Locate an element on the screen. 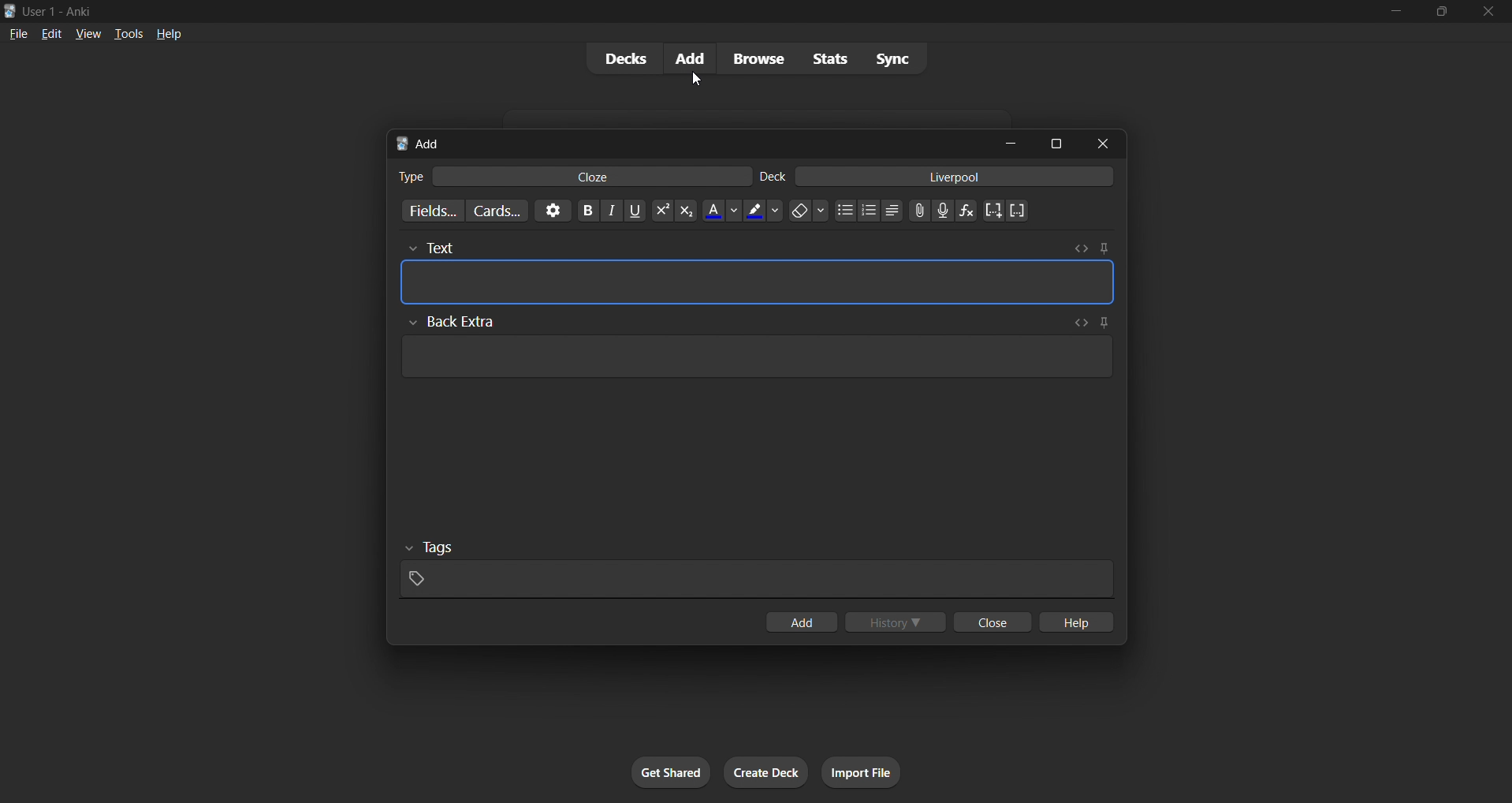 This screenshot has height=803, width=1512. subscript is located at coordinates (683, 216).